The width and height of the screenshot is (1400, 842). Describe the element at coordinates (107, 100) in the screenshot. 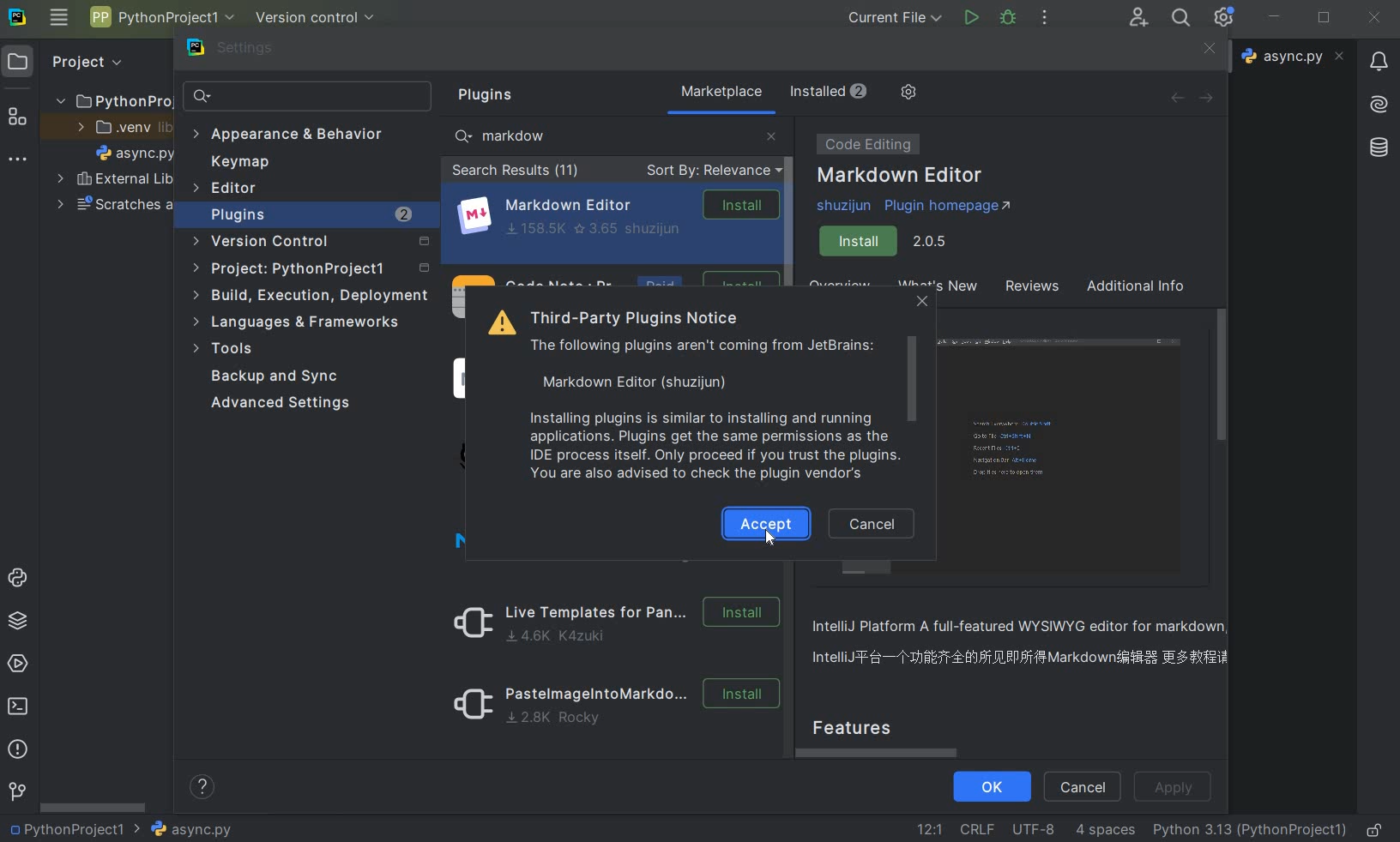

I see `project folder` at that location.